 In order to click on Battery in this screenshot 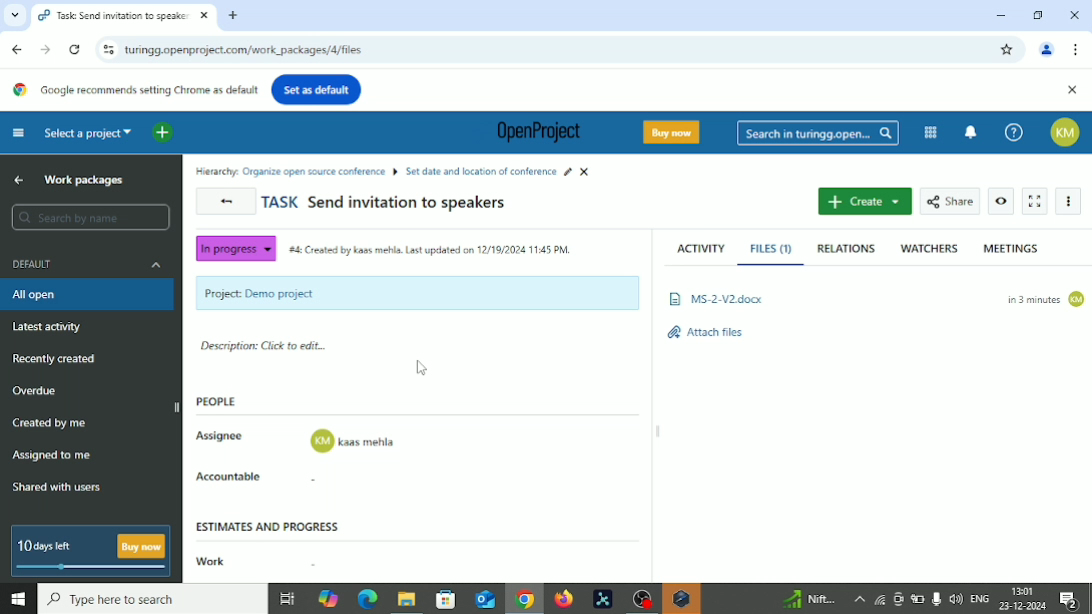, I will do `click(918, 600)`.